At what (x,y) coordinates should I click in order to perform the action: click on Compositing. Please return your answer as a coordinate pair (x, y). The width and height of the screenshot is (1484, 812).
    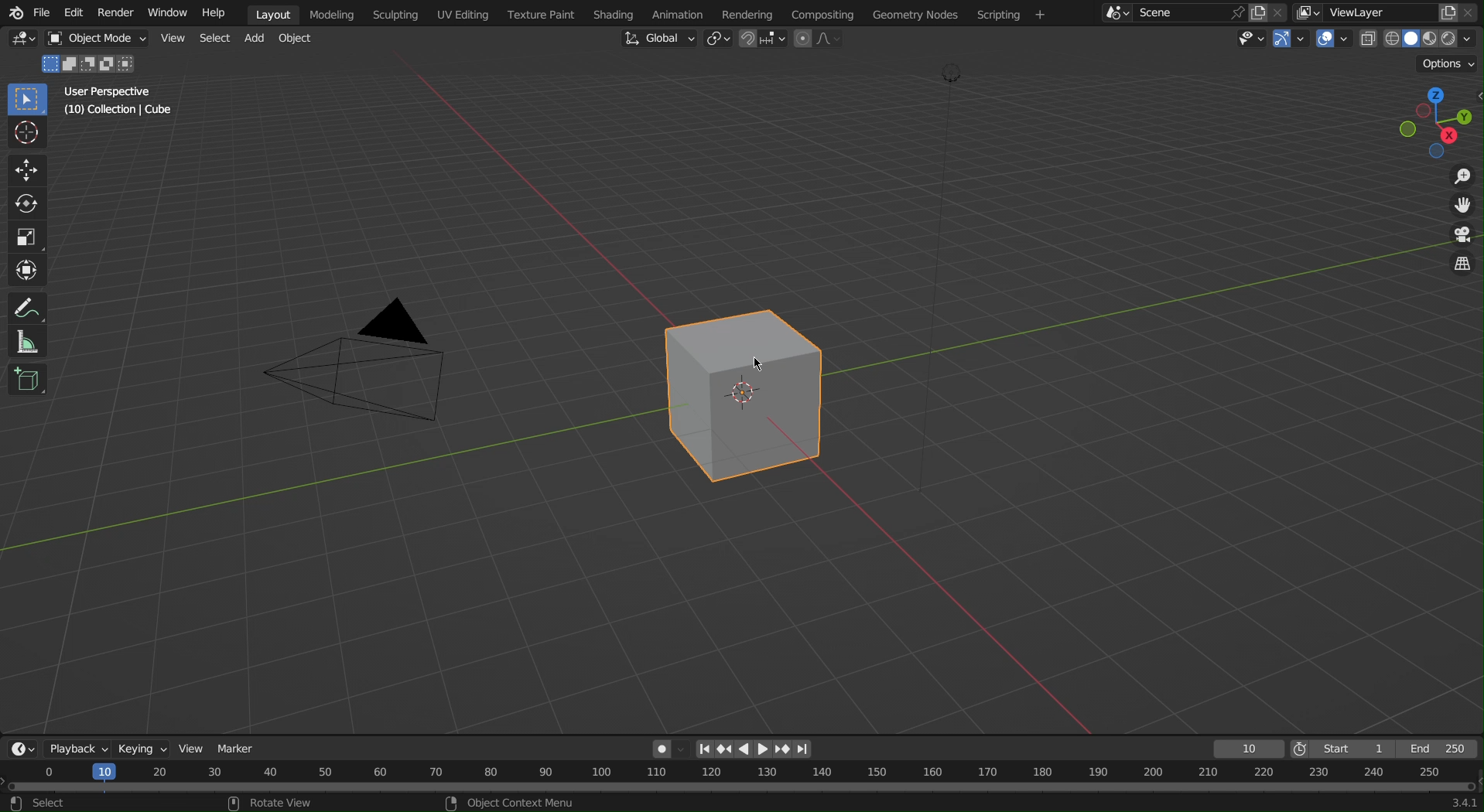
    Looking at the image, I should click on (823, 12).